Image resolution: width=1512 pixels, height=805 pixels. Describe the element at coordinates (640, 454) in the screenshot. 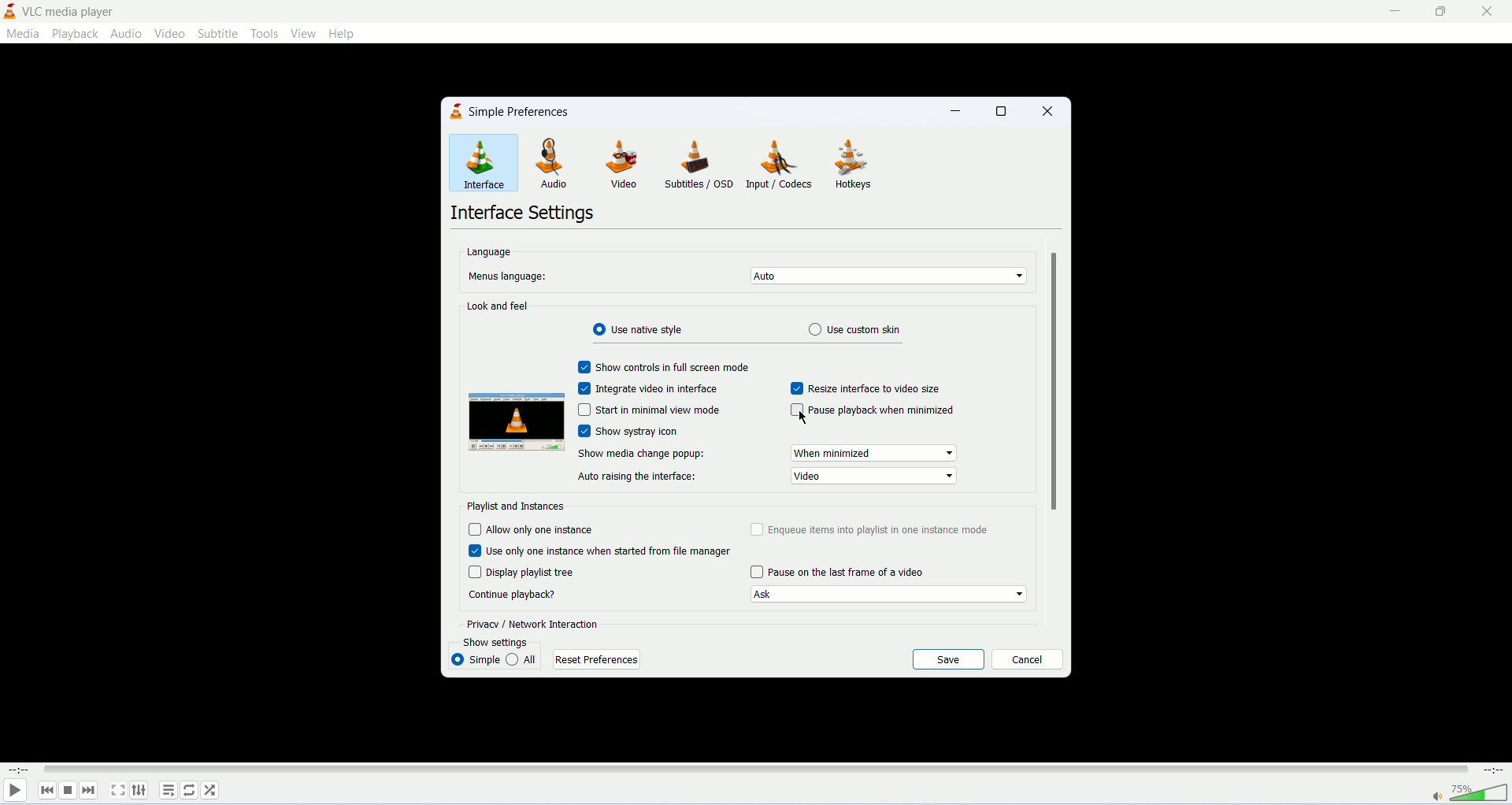

I see `show media change popup` at that location.